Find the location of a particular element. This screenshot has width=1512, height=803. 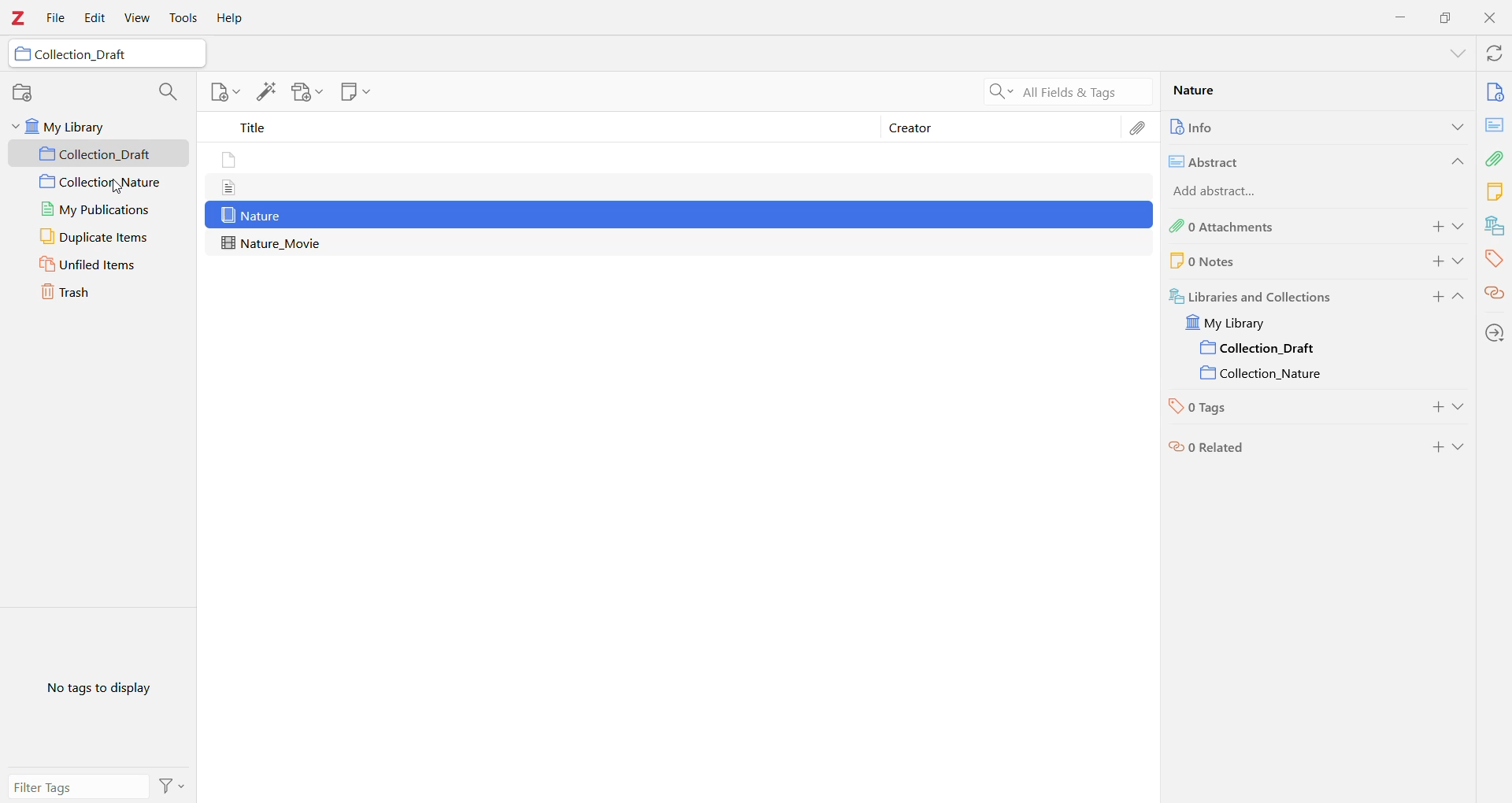

Add Item(s) by Identifier is located at coordinates (269, 92).